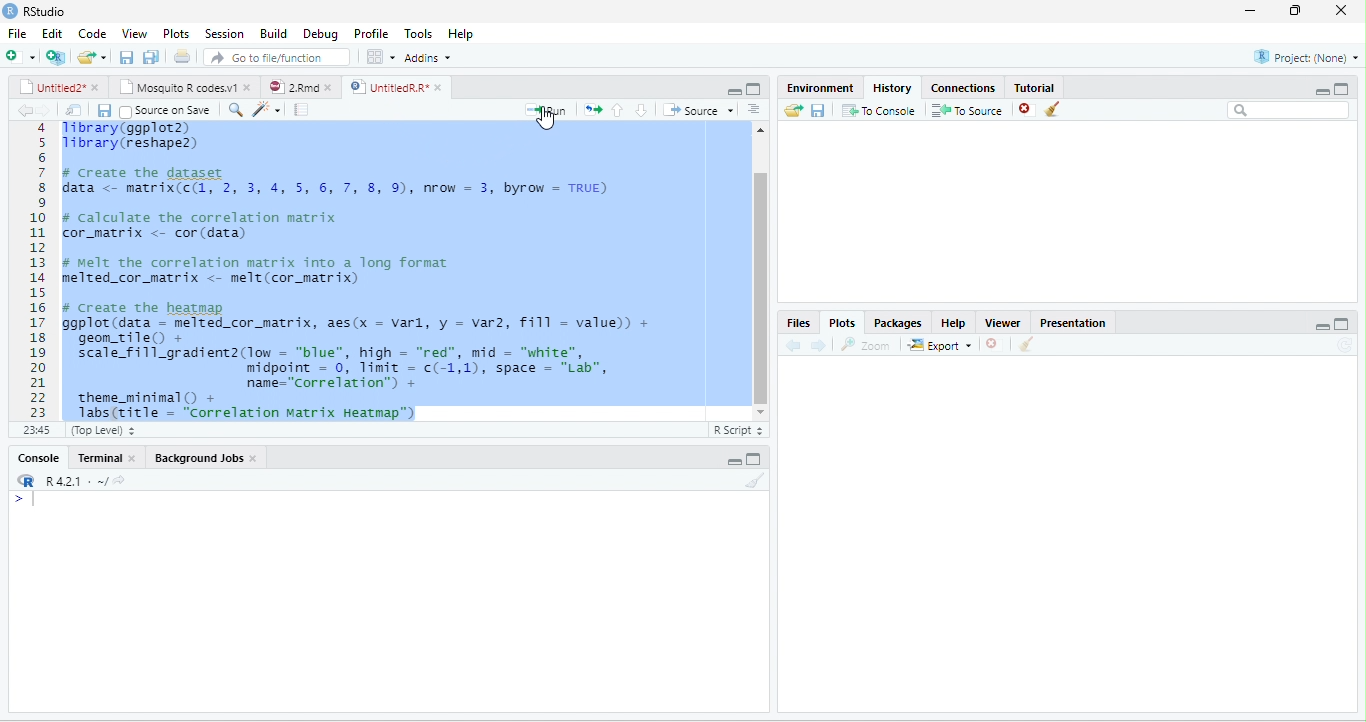 The height and width of the screenshot is (722, 1366). Describe the element at coordinates (812, 86) in the screenshot. I see `environment ` at that location.